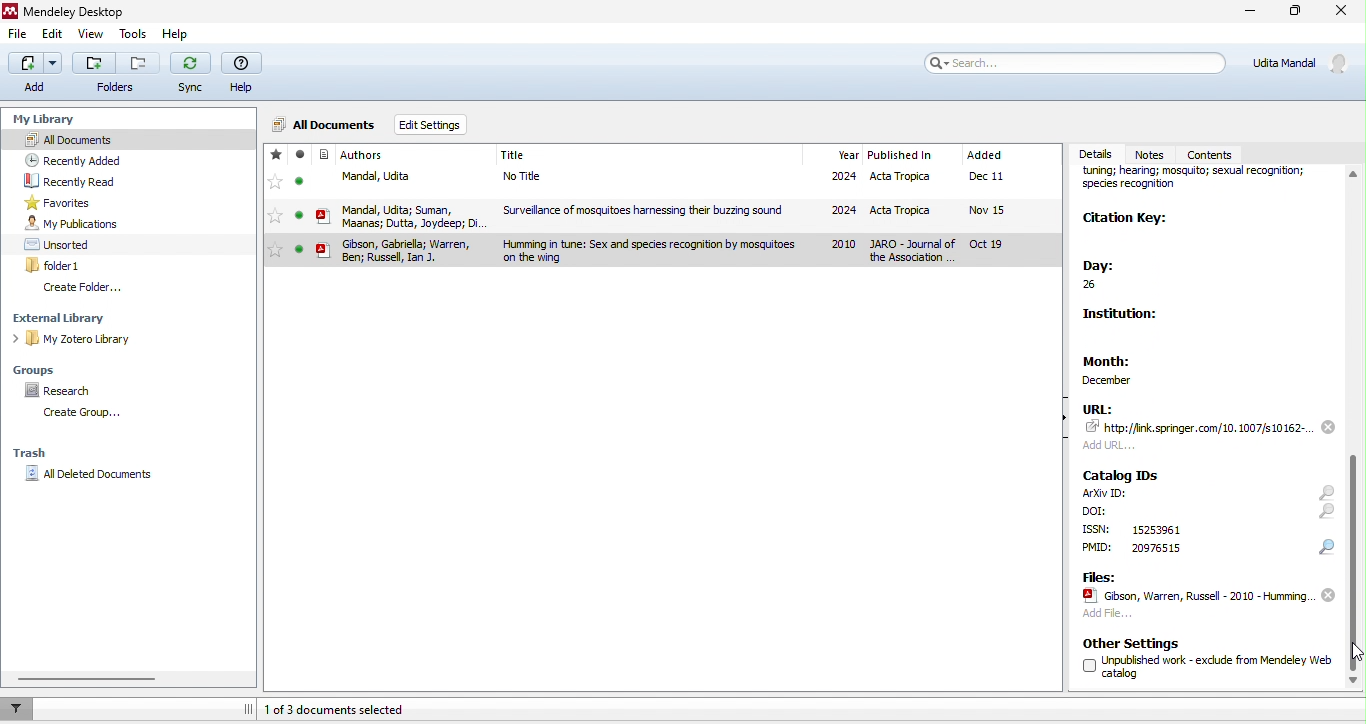 This screenshot has height=724, width=1366. What do you see at coordinates (72, 224) in the screenshot?
I see `my publication` at bounding box center [72, 224].